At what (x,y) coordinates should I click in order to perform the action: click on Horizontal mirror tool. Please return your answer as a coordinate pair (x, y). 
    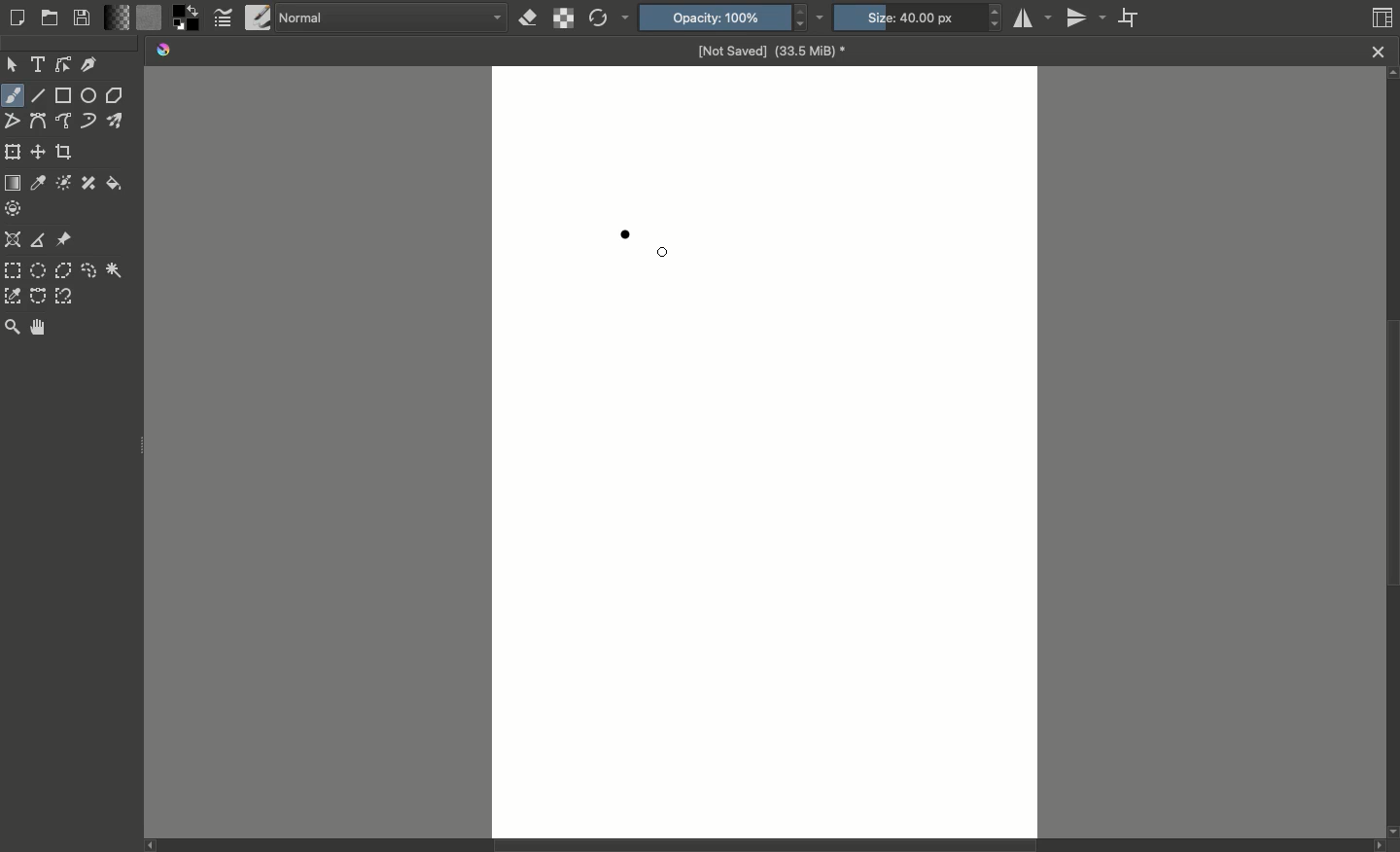
    Looking at the image, I should click on (1035, 18).